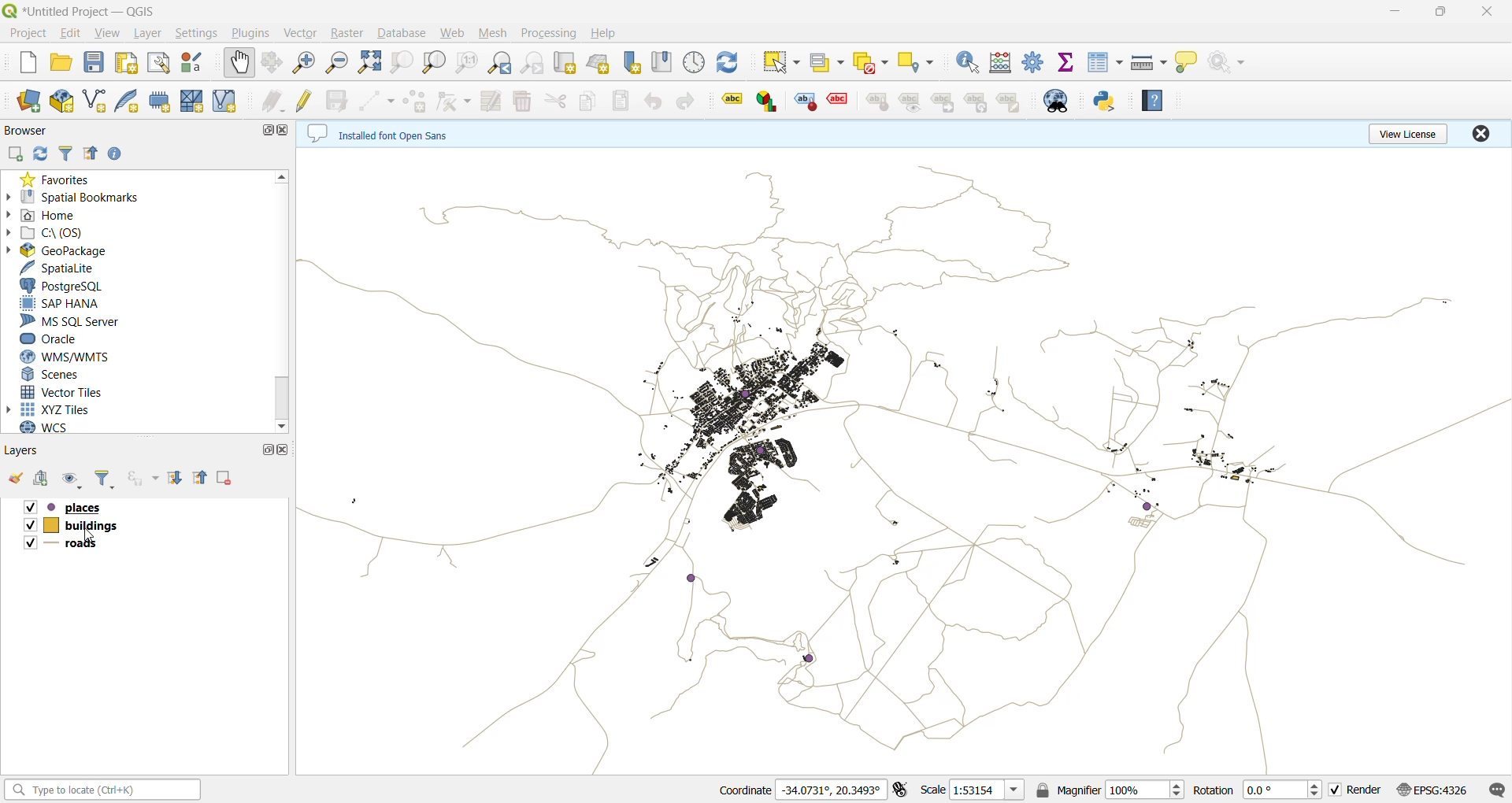 This screenshot has width=1512, height=803. What do you see at coordinates (20, 62) in the screenshot?
I see `new` at bounding box center [20, 62].